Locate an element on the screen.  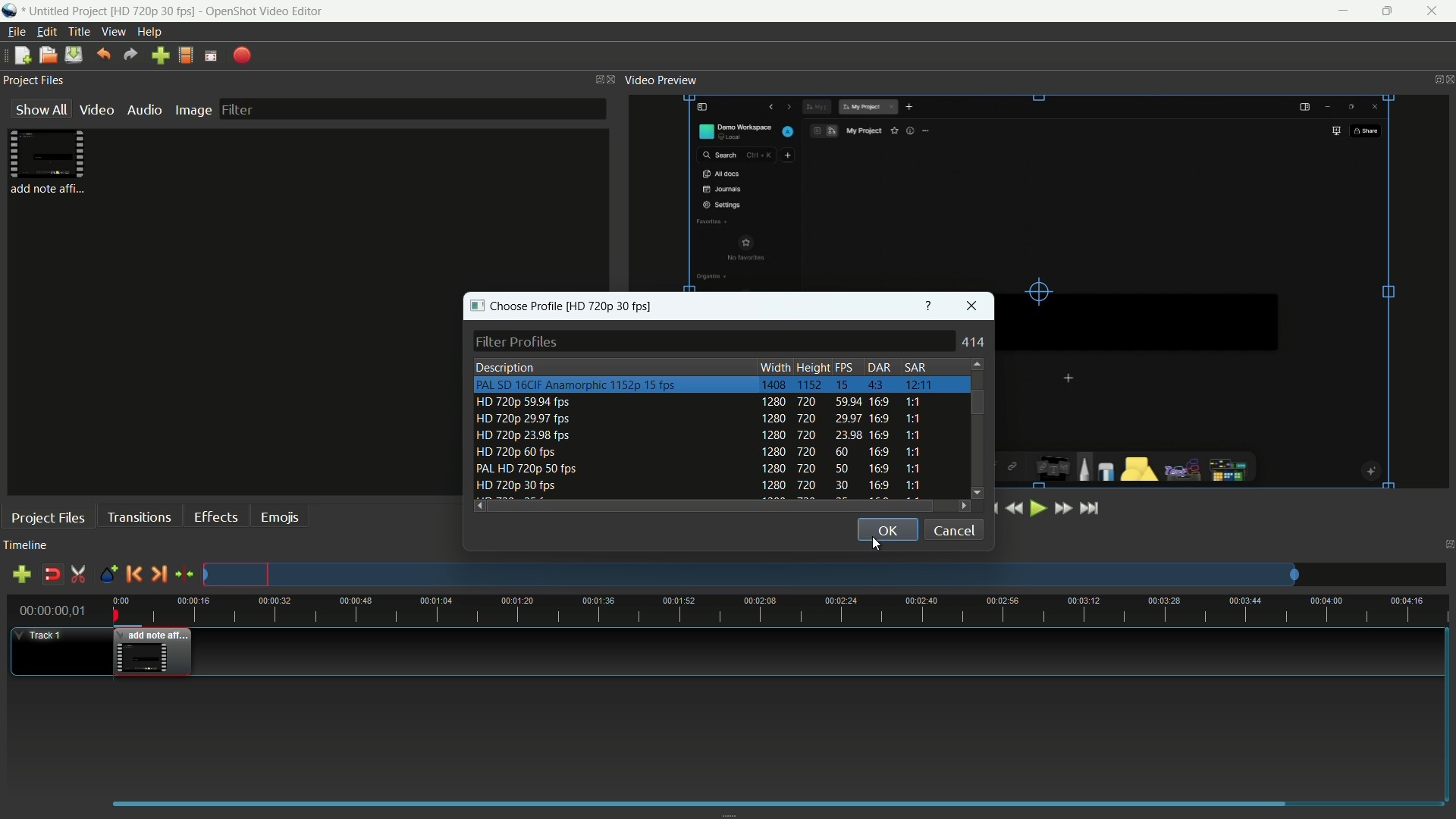
project name is located at coordinates (112, 12).